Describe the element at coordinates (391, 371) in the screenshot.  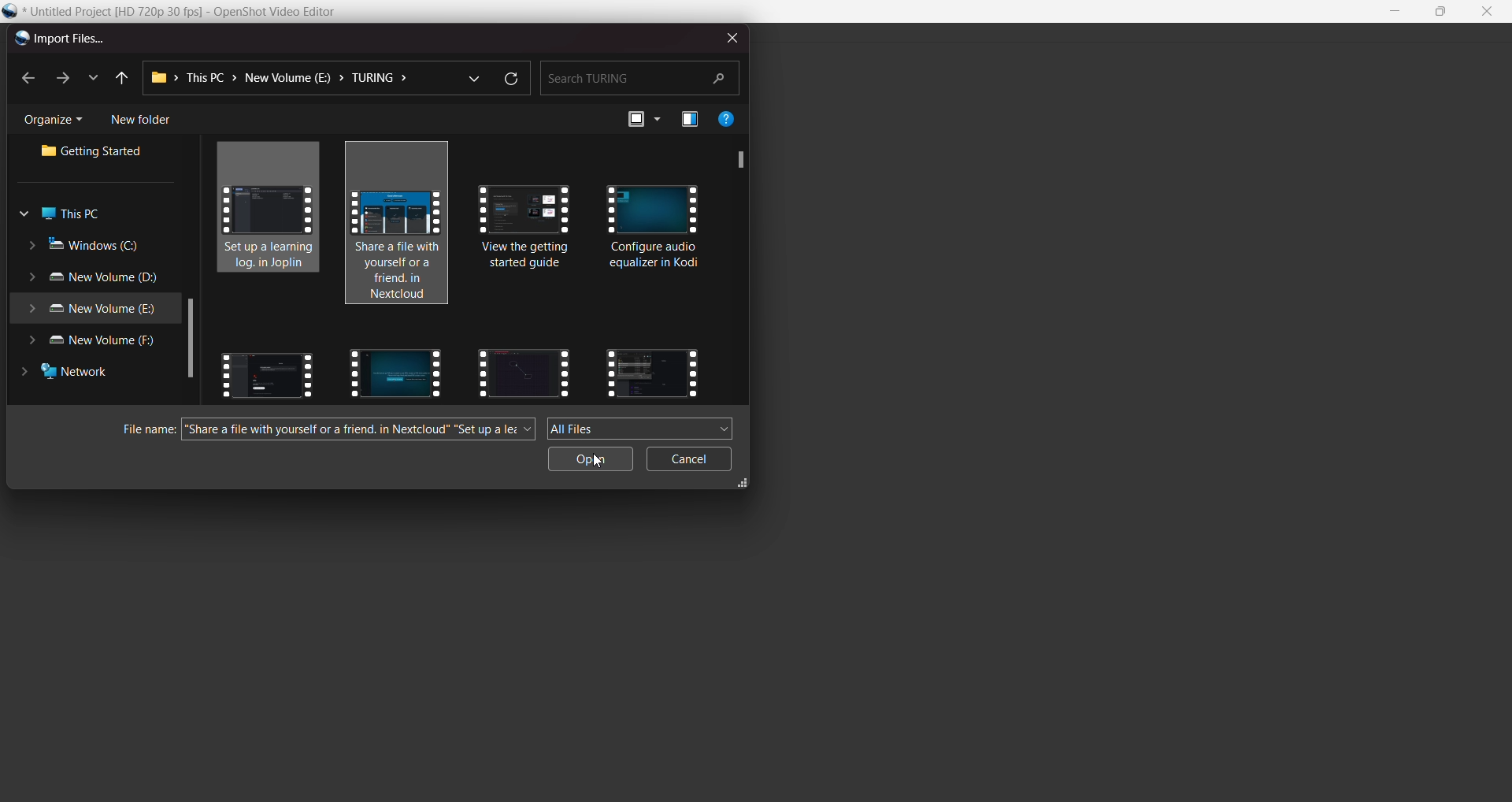
I see `videos` at that location.